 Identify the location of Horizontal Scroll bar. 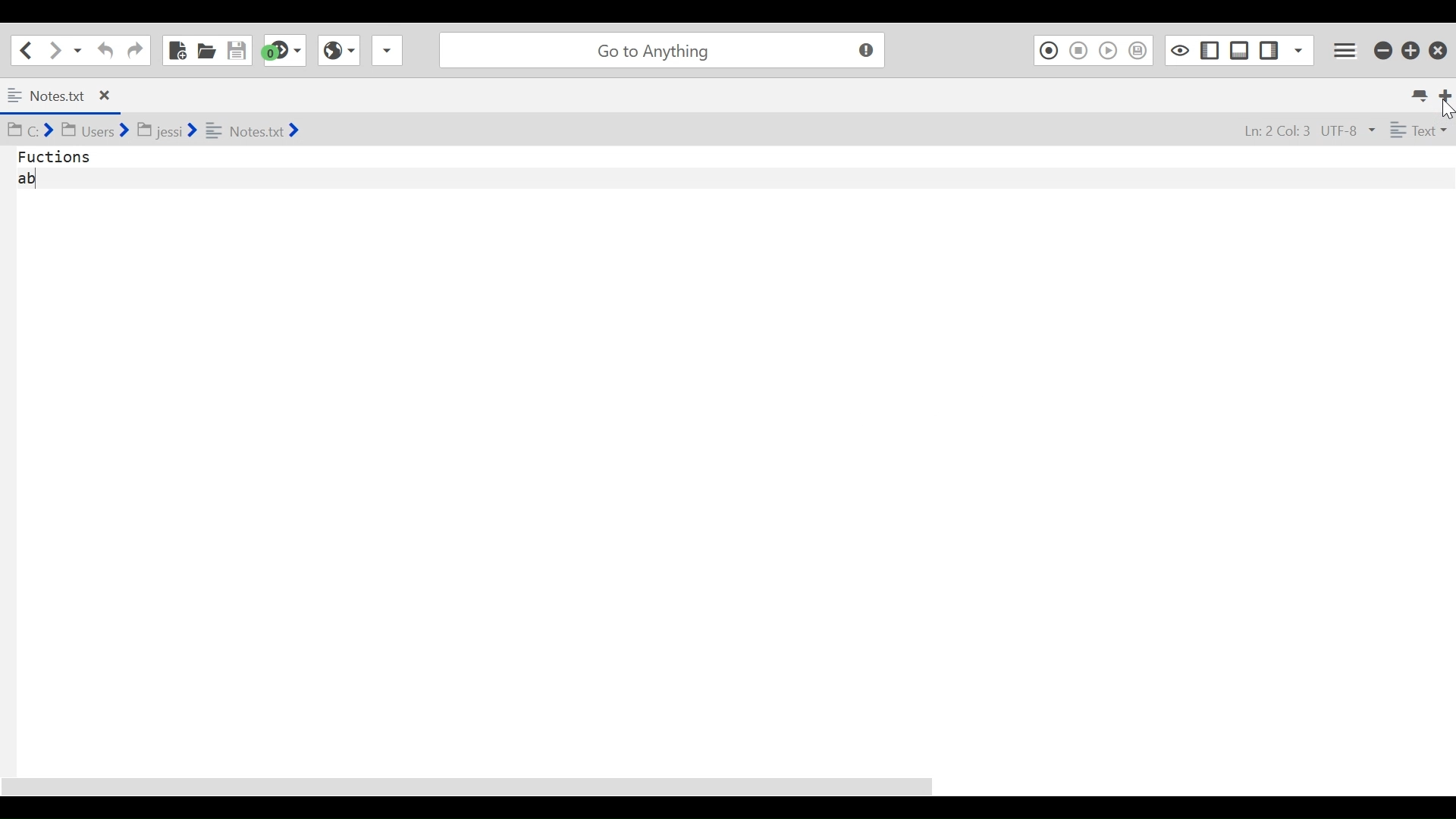
(464, 786).